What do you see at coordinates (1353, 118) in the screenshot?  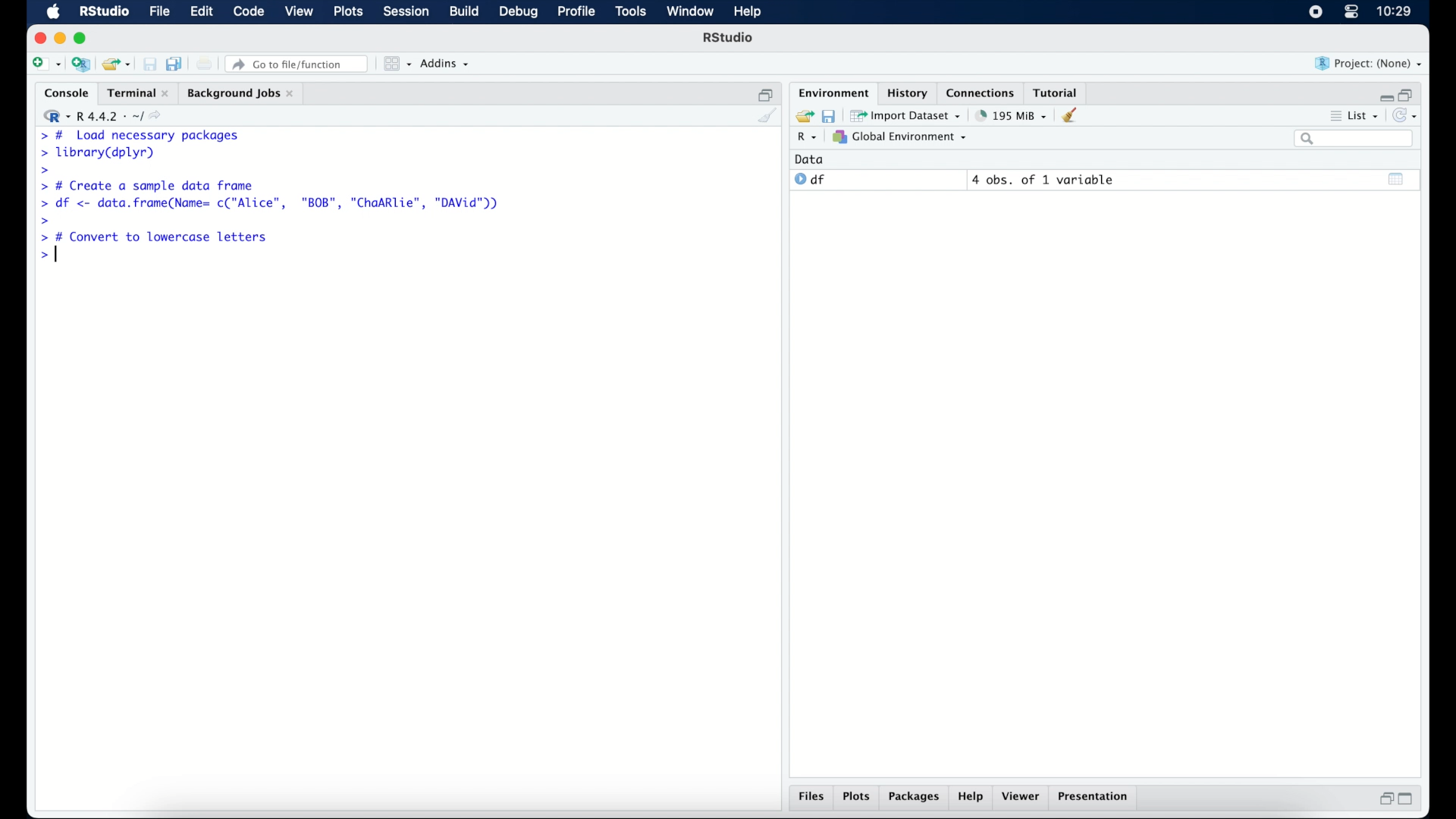 I see `list` at bounding box center [1353, 118].